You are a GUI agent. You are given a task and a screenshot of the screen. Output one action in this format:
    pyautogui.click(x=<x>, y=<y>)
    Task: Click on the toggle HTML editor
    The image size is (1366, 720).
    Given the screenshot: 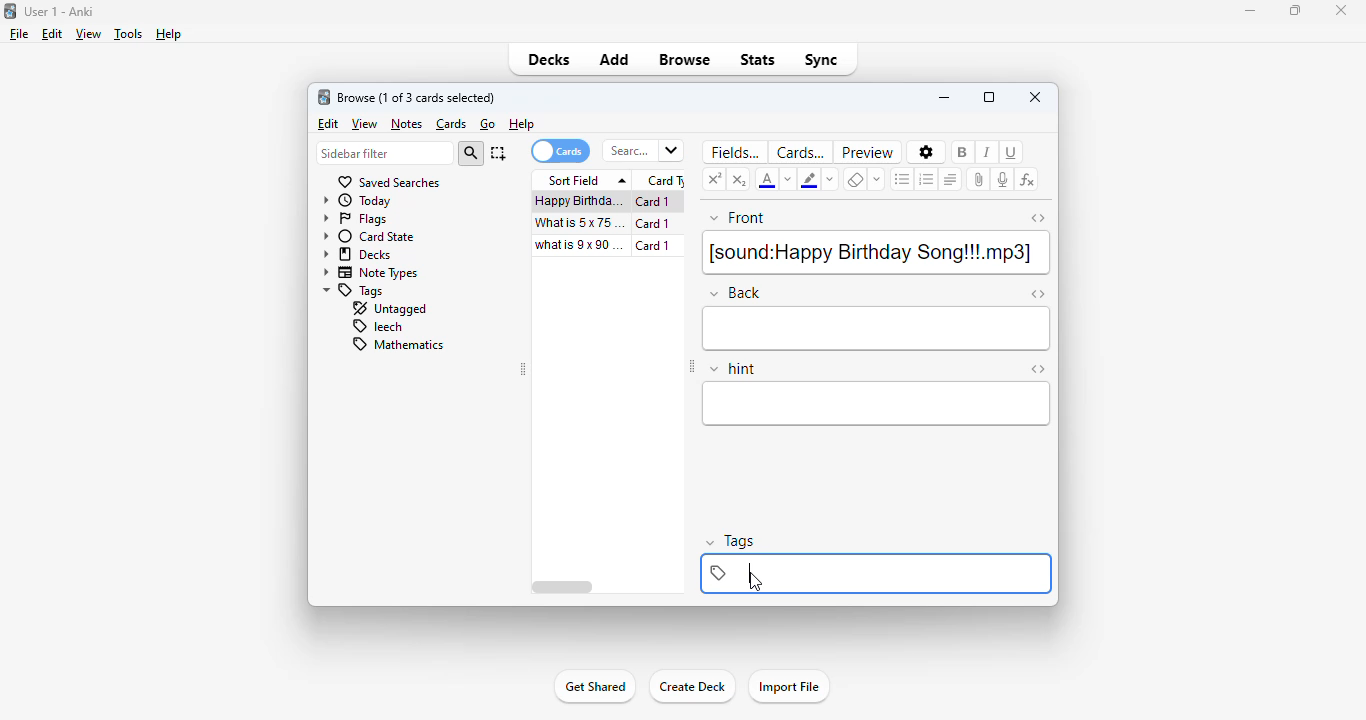 What is the action you would take?
    pyautogui.click(x=1037, y=369)
    